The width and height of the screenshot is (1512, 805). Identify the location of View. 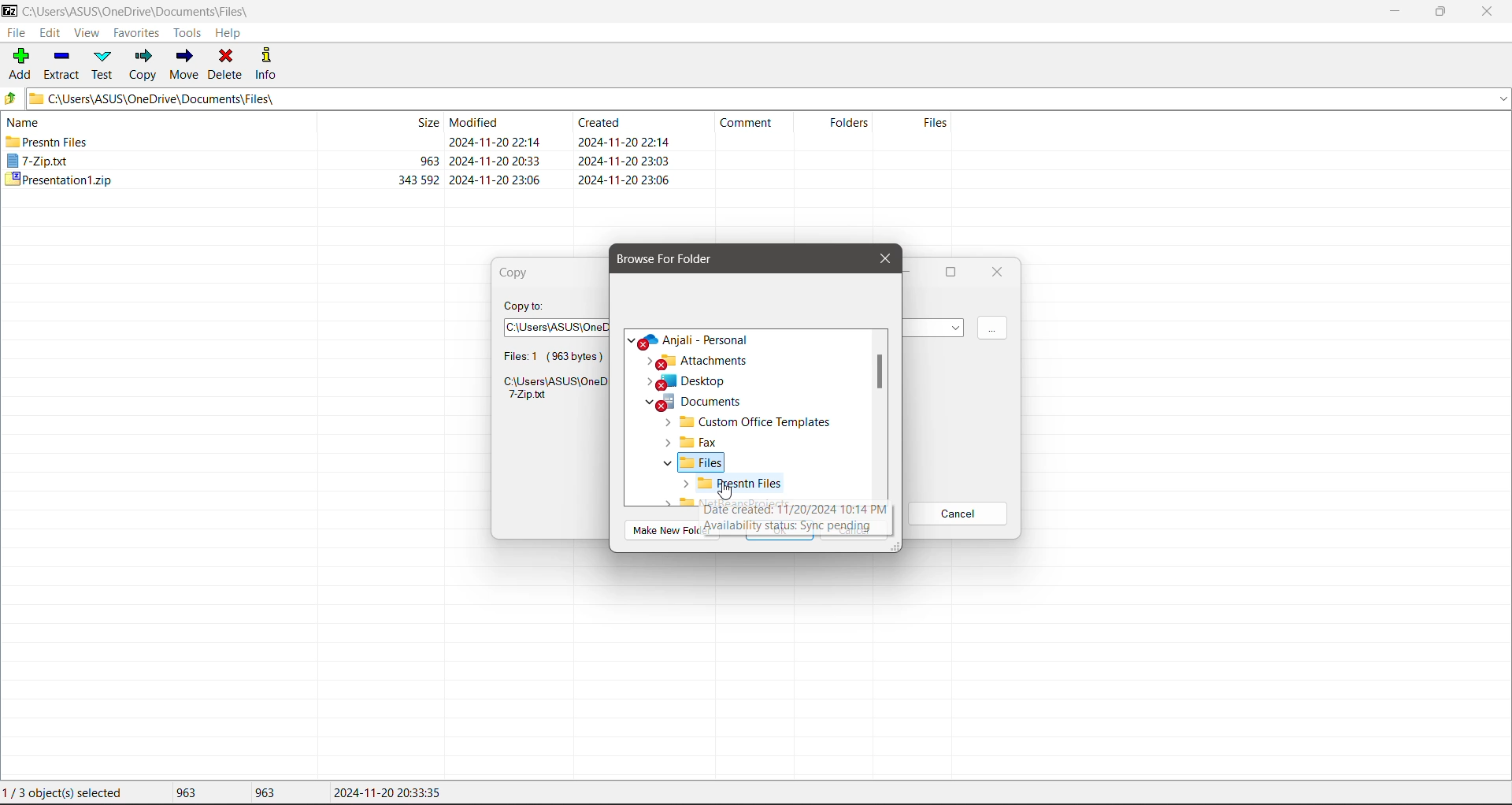
(87, 34).